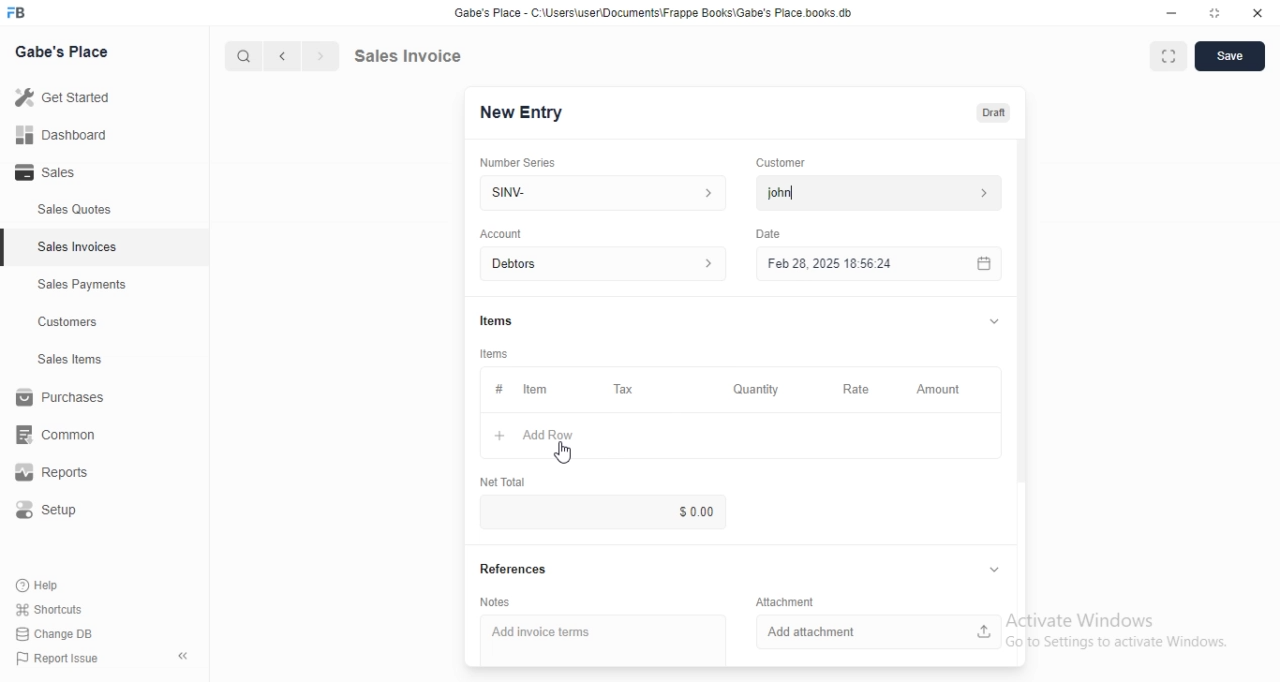 This screenshot has height=682, width=1280. Describe the element at coordinates (57, 584) in the screenshot. I see `Help` at that location.